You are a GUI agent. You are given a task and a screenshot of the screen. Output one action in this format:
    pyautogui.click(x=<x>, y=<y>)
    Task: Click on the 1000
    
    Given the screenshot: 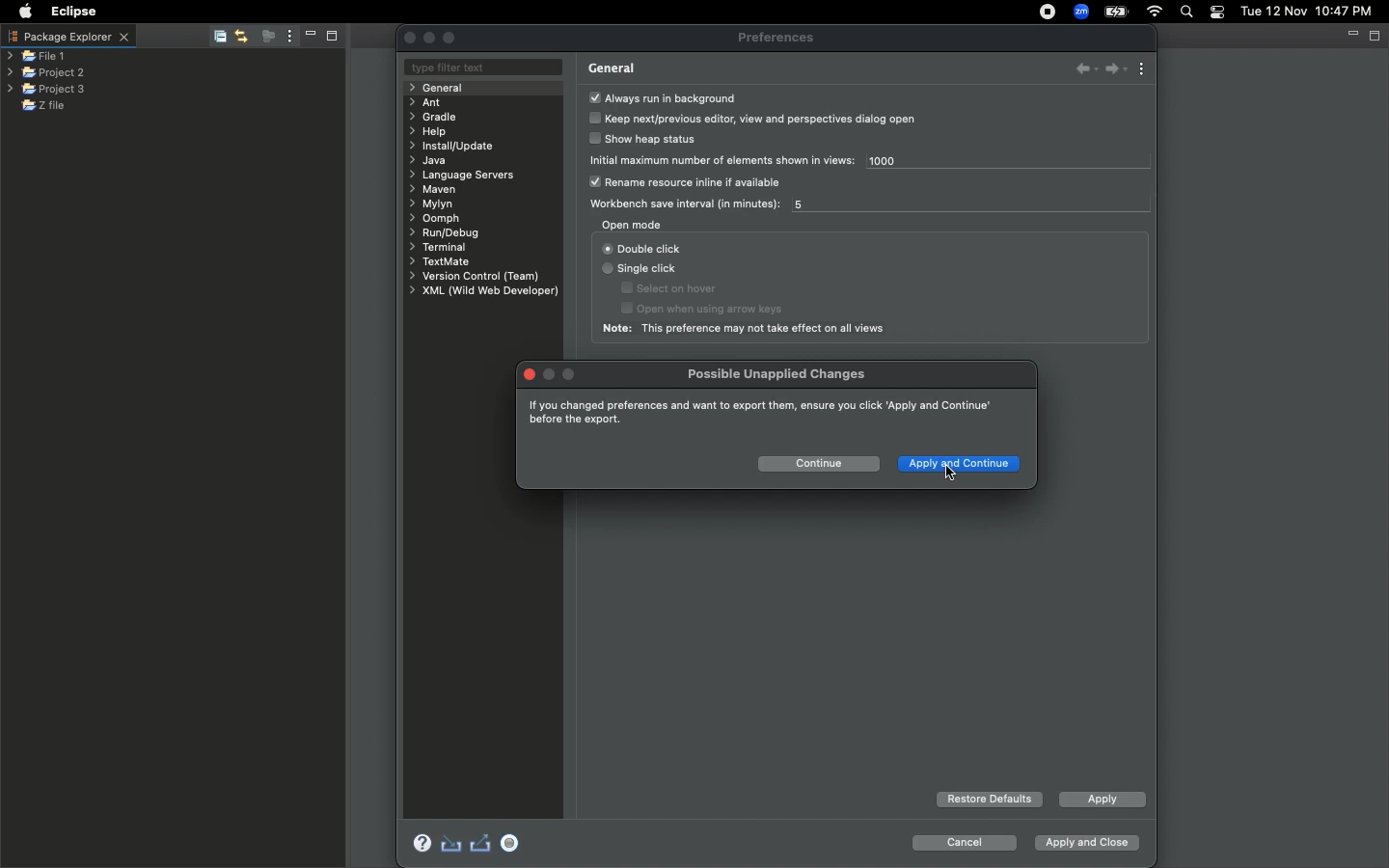 What is the action you would take?
    pyautogui.click(x=904, y=163)
    